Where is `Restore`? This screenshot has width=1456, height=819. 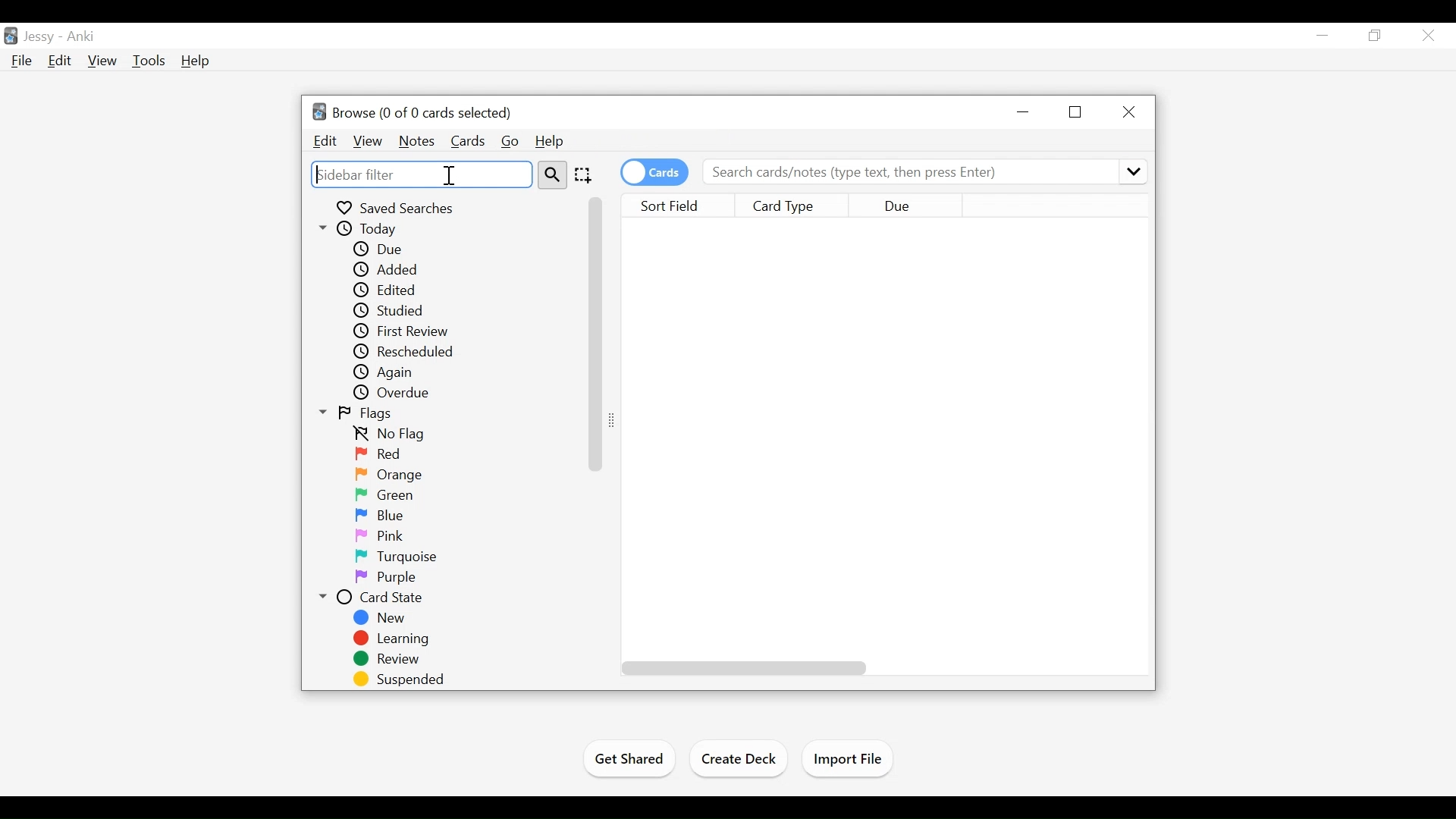
Restore is located at coordinates (1077, 112).